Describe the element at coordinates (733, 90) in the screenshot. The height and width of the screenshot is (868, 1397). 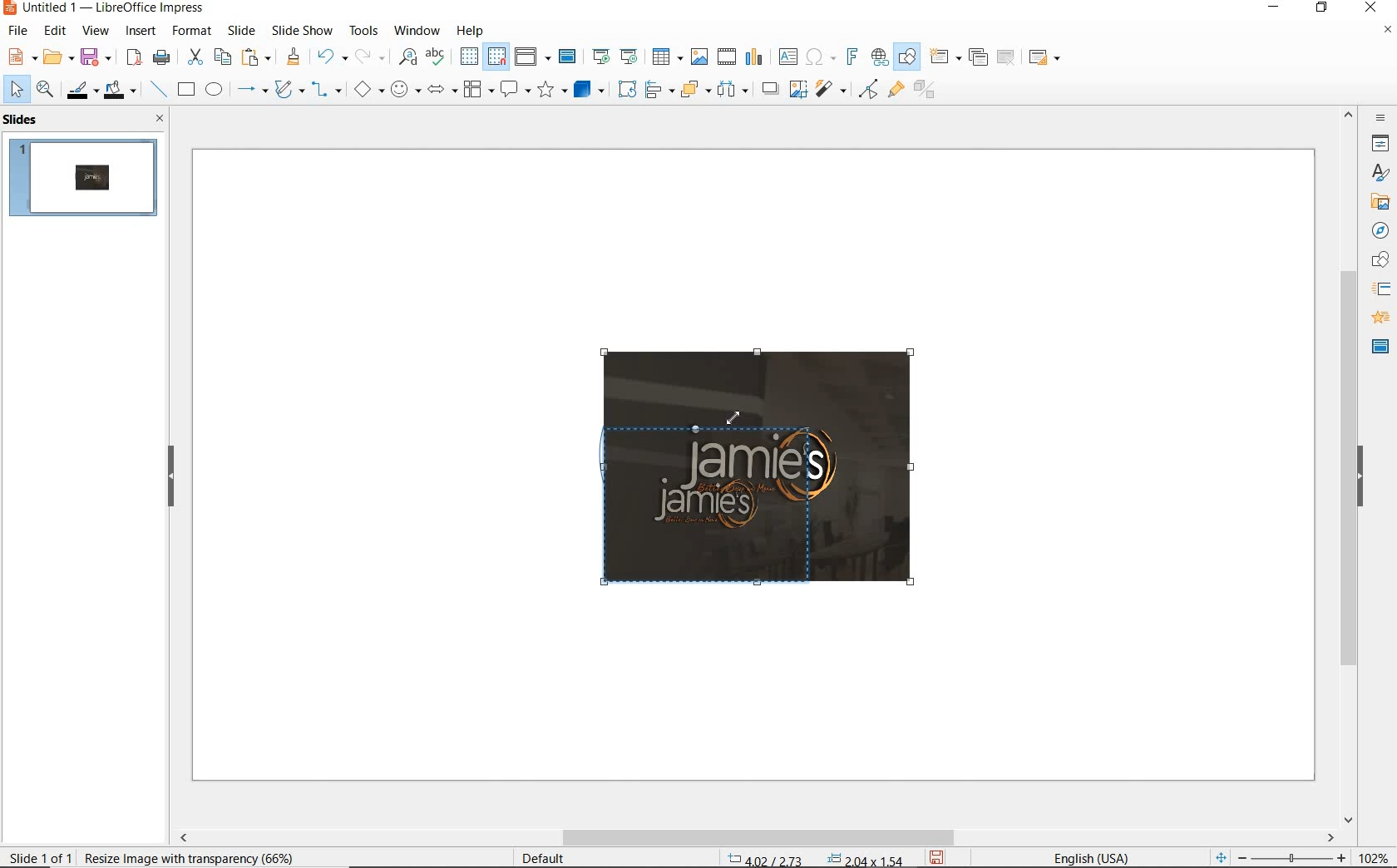
I see `select at least three objects to distribute` at that location.